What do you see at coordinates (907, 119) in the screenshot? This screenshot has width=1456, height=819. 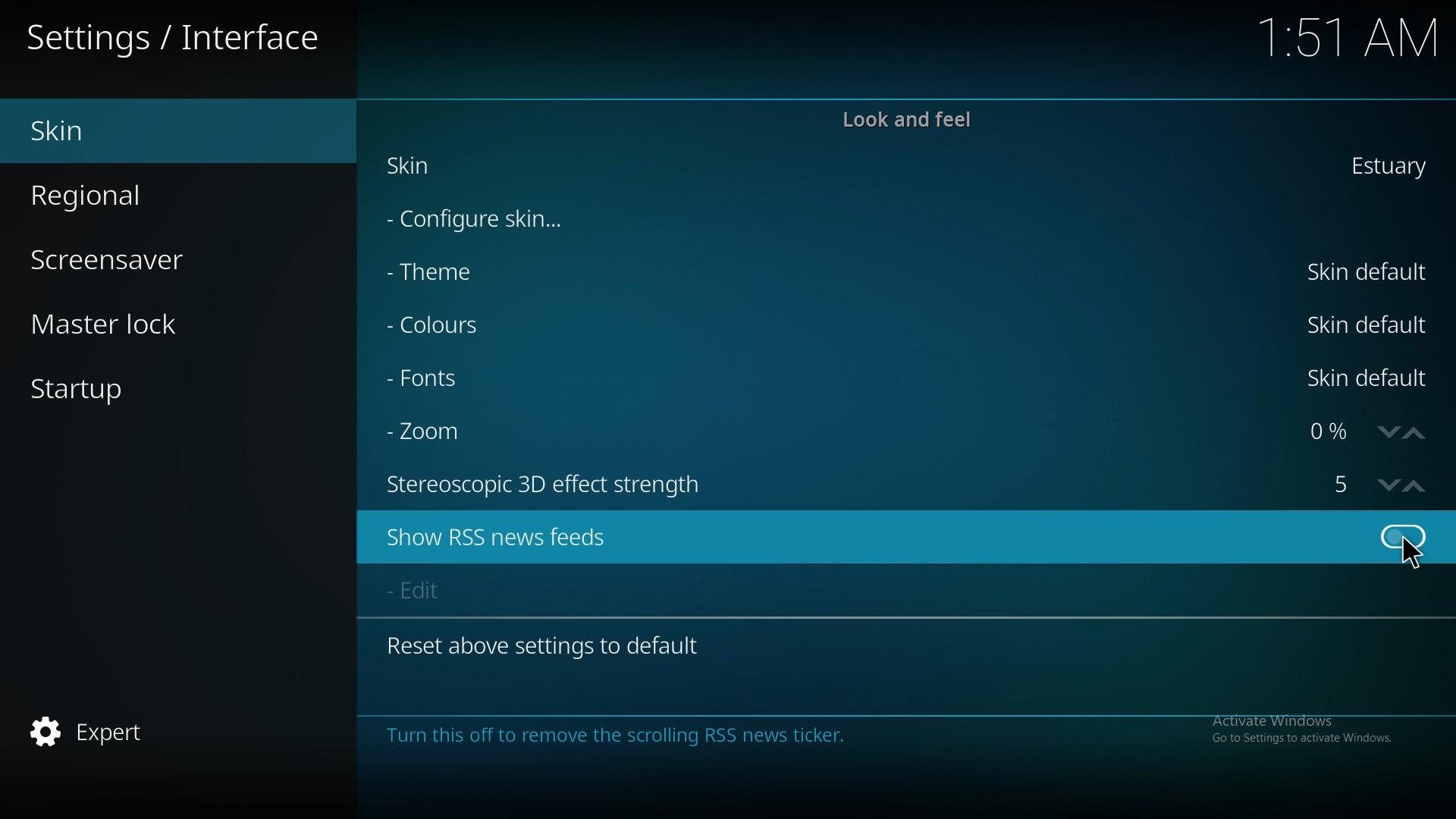 I see `look and feel` at bounding box center [907, 119].